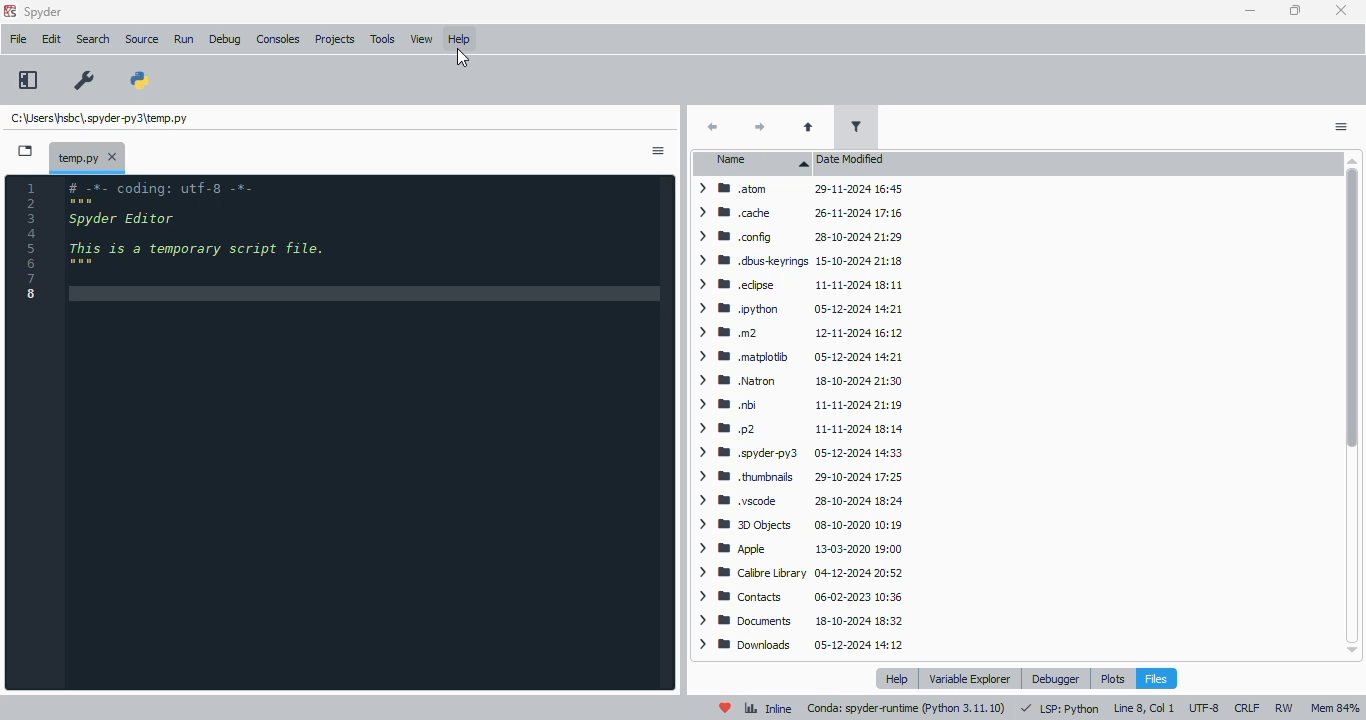 The image size is (1366, 720). I want to click on minimize, so click(1250, 12).